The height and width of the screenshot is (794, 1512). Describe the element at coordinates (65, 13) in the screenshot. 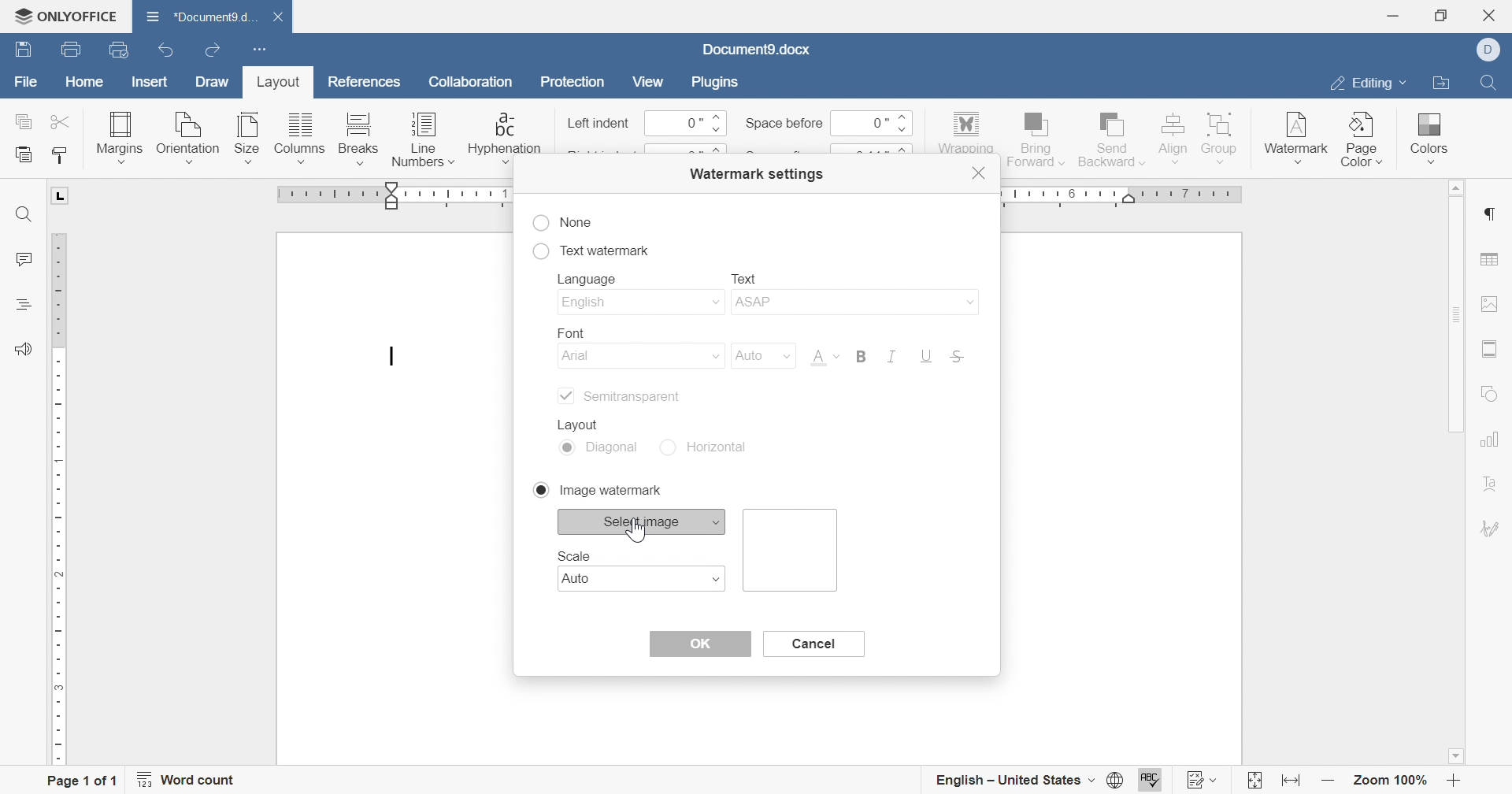

I see `ONLYOFFICE` at that location.